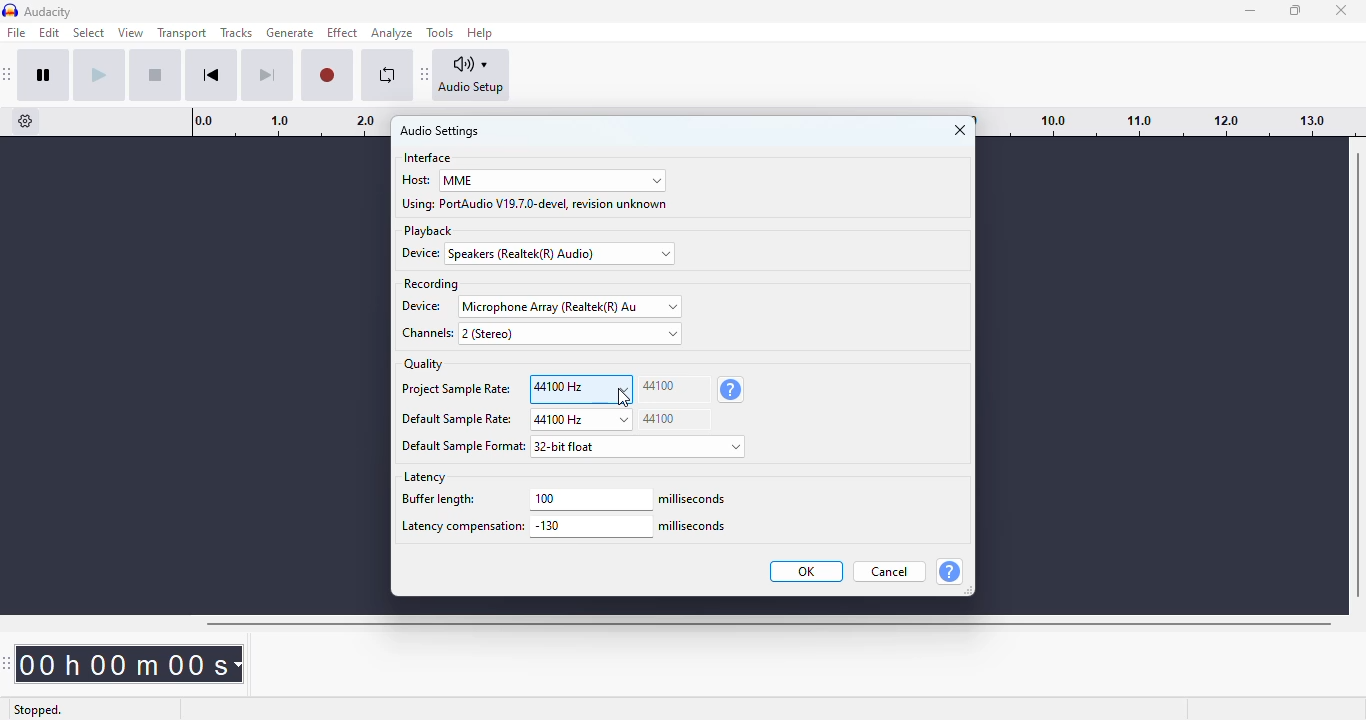 The image size is (1366, 720). Describe the element at coordinates (1295, 9) in the screenshot. I see `maximize` at that location.